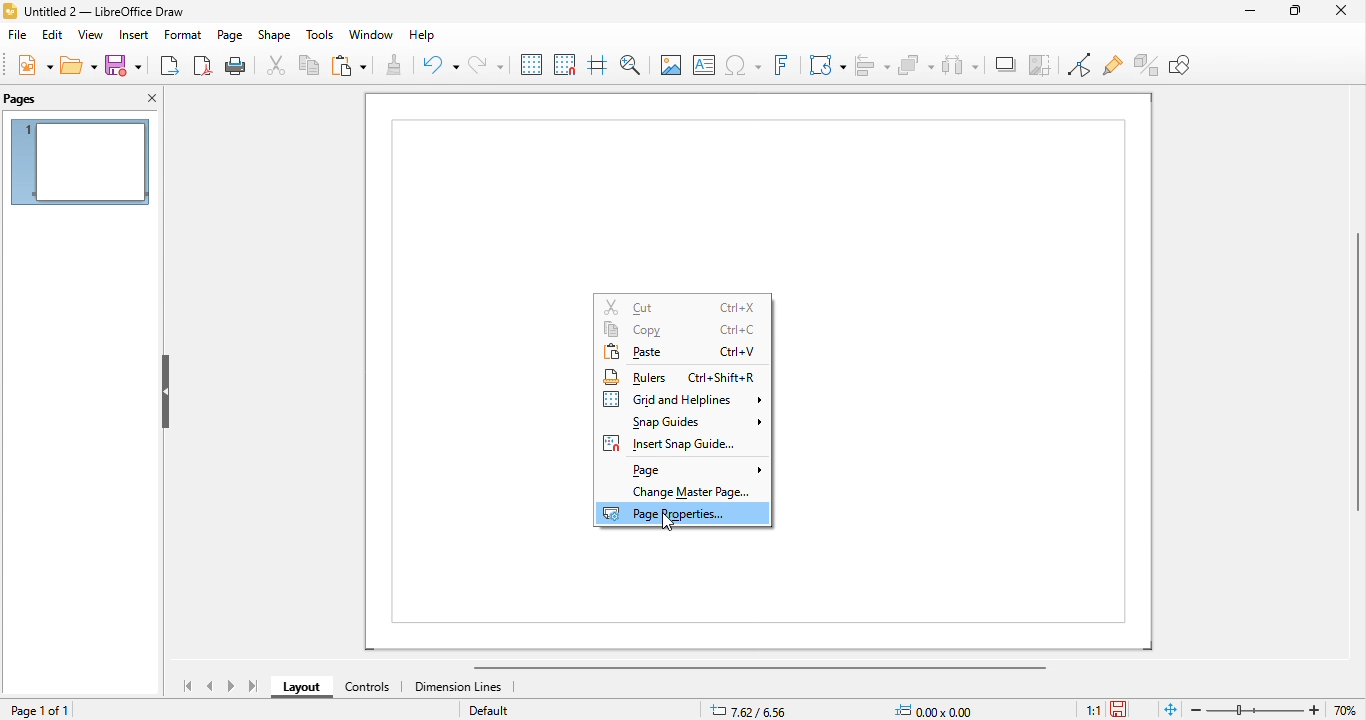 The height and width of the screenshot is (720, 1366). Describe the element at coordinates (780, 66) in the screenshot. I see `fontwork test` at that location.